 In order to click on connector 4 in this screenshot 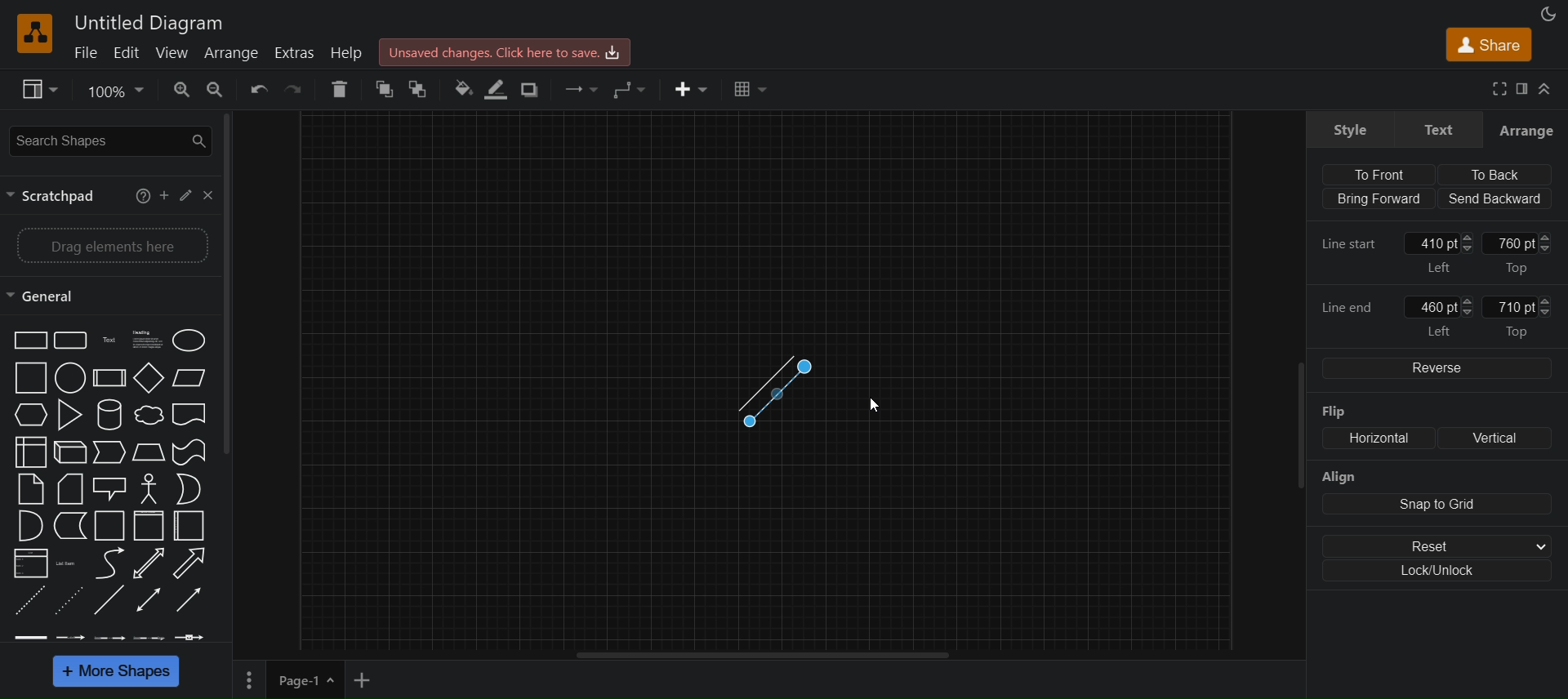, I will do `click(149, 637)`.